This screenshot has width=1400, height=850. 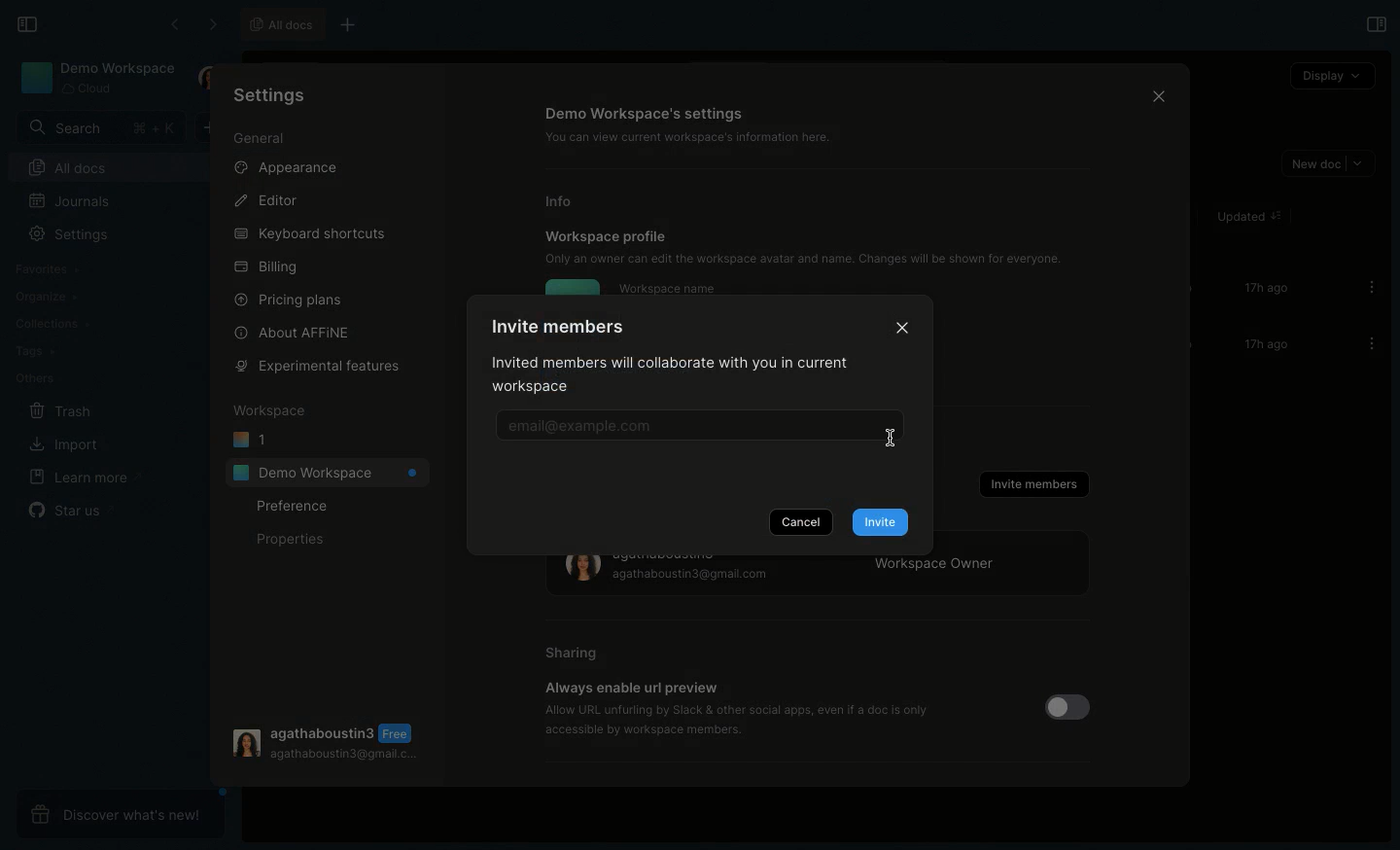 I want to click on ‘You can view current workspace's information here., so click(x=699, y=137).